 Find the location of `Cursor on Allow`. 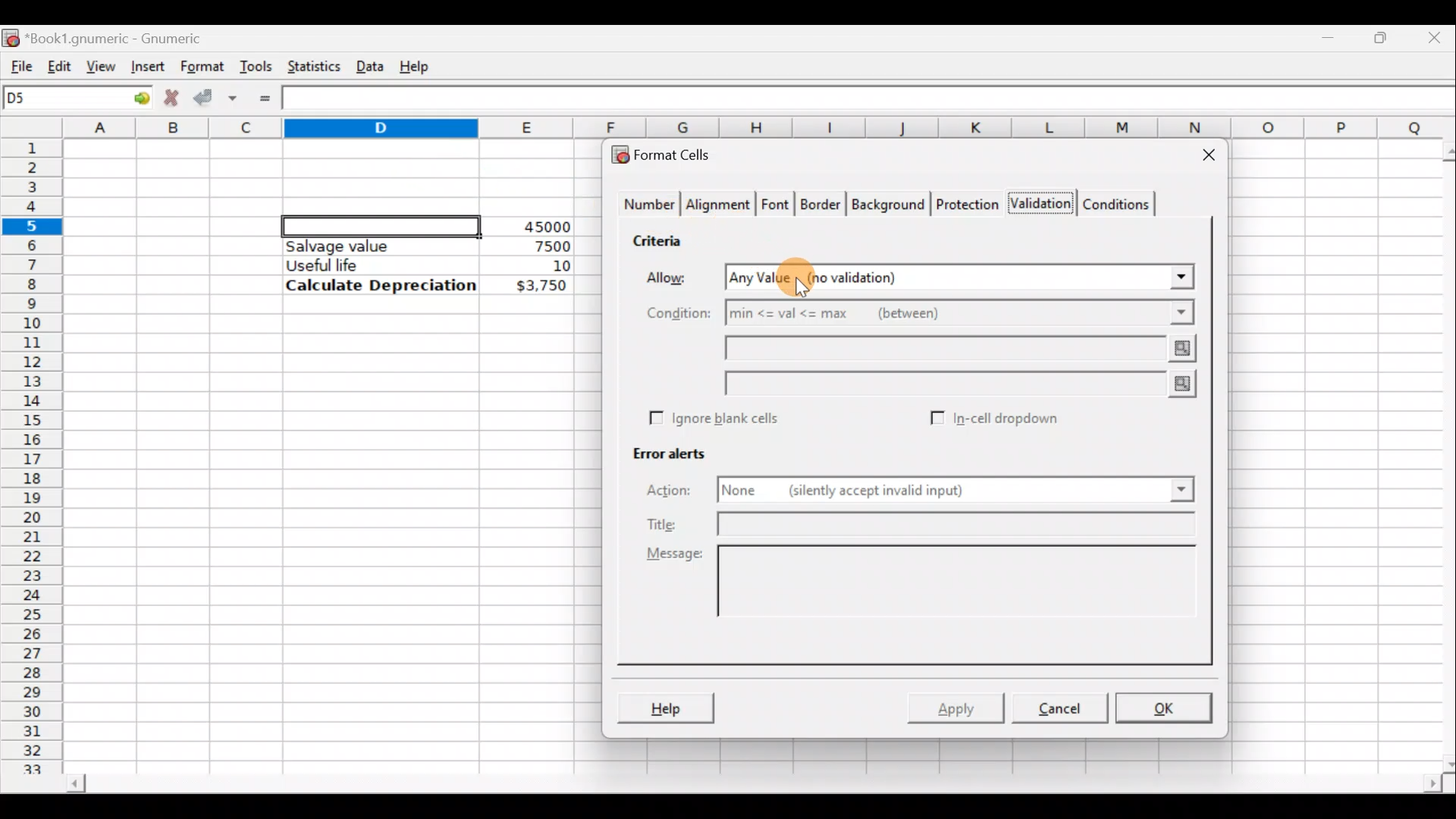

Cursor on Allow is located at coordinates (821, 281).